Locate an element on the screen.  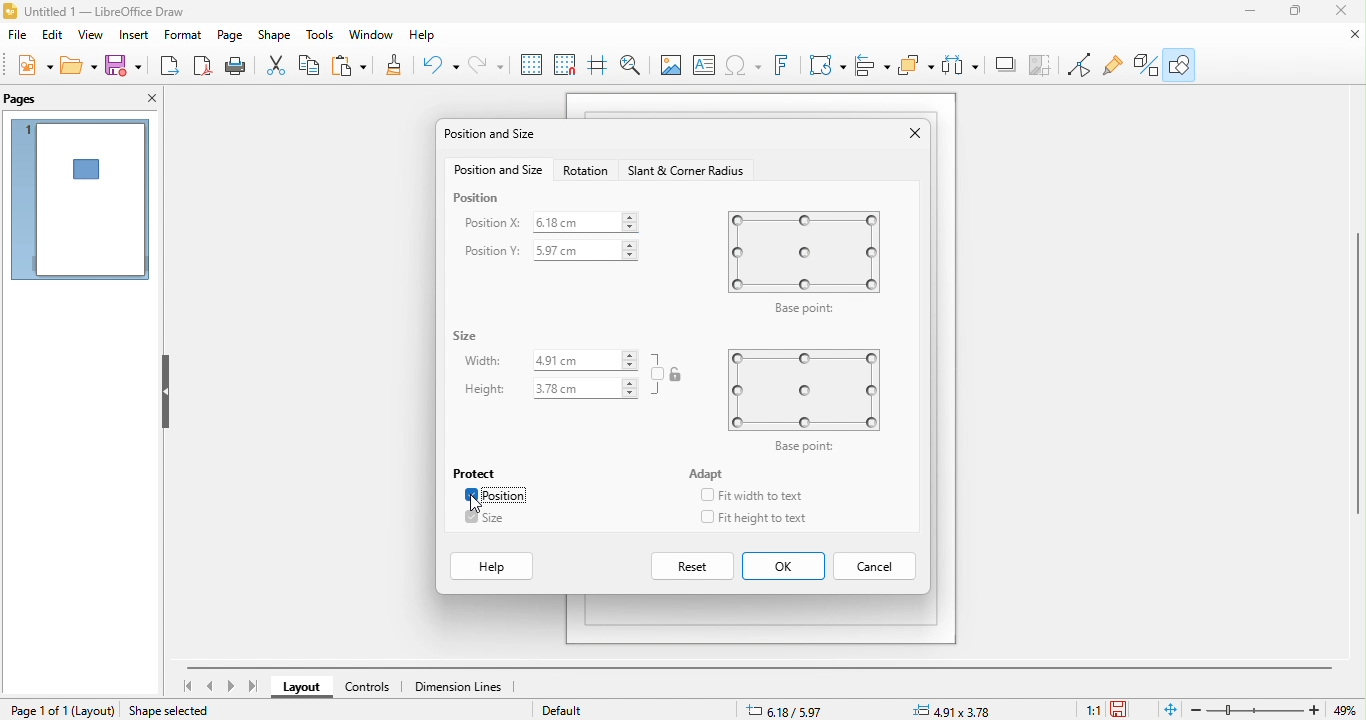
paste is located at coordinates (353, 66).